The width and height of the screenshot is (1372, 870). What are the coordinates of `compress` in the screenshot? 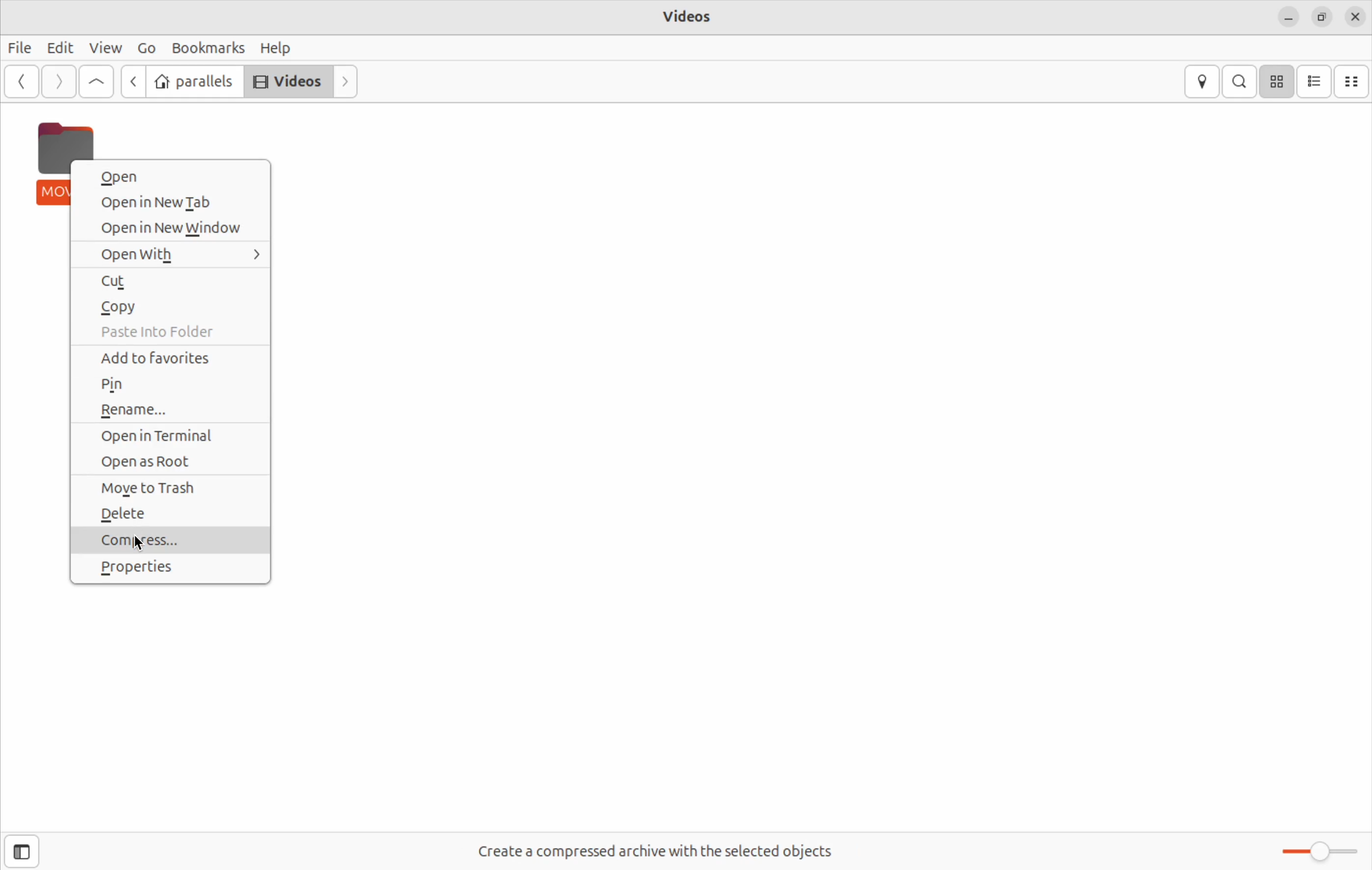 It's located at (163, 540).